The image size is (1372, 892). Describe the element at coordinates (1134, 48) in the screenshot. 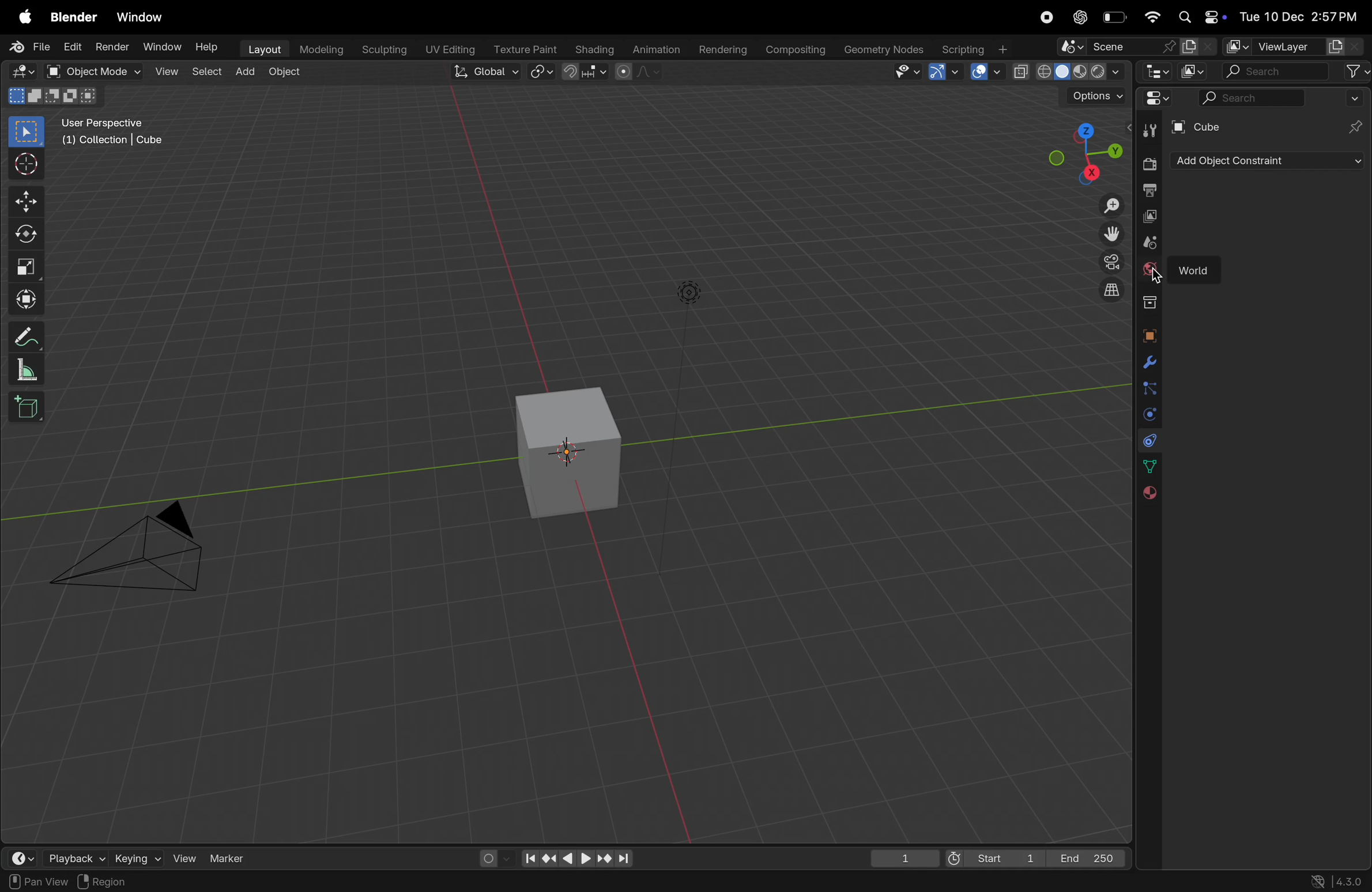

I see `scene` at that location.